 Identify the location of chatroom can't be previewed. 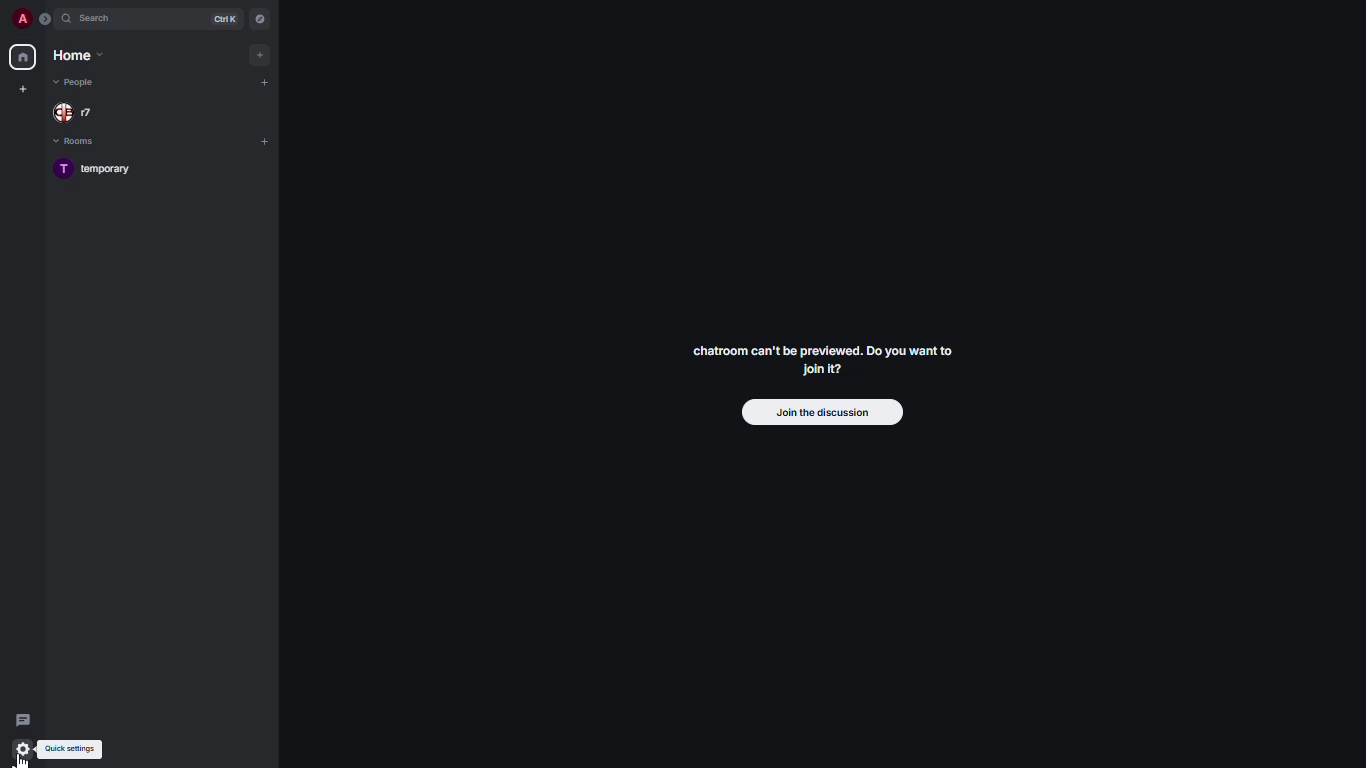
(822, 364).